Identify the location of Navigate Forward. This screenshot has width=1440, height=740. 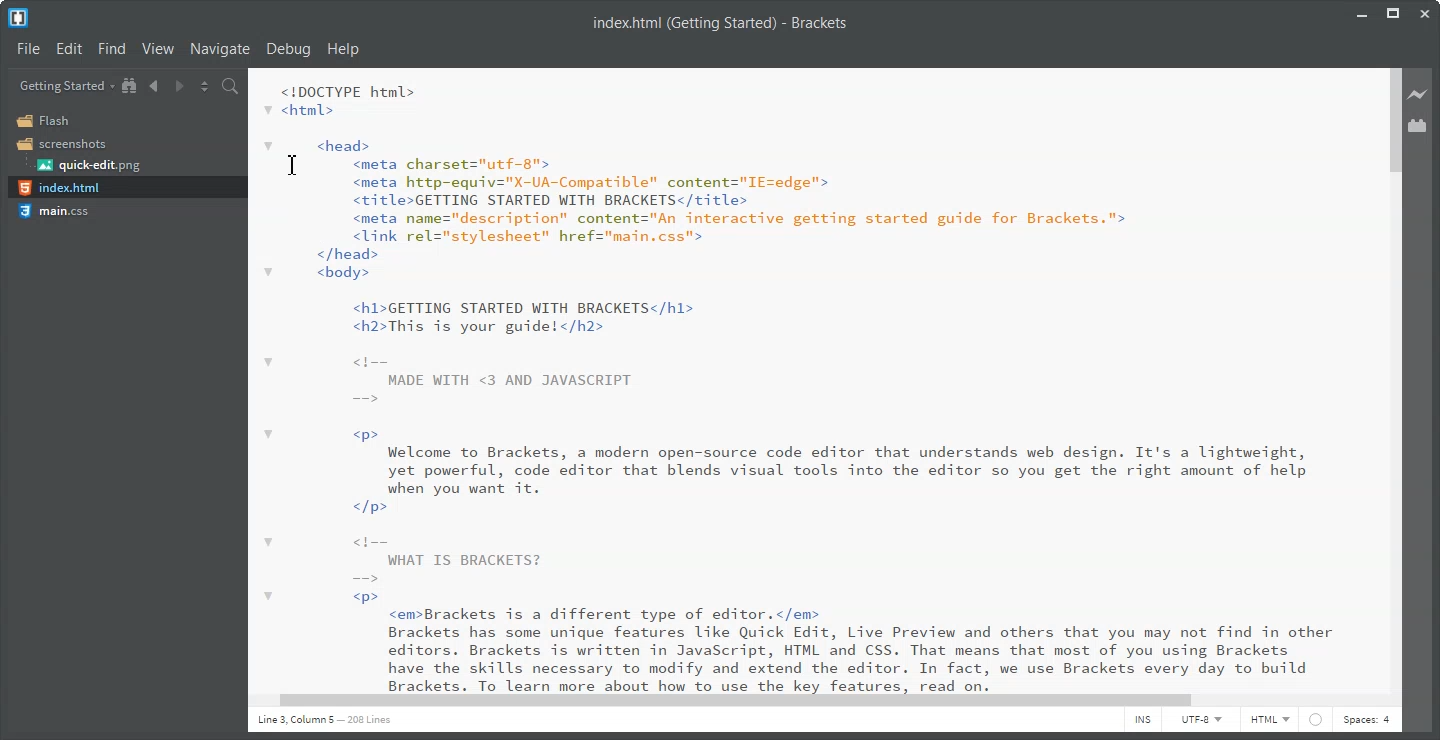
(179, 86).